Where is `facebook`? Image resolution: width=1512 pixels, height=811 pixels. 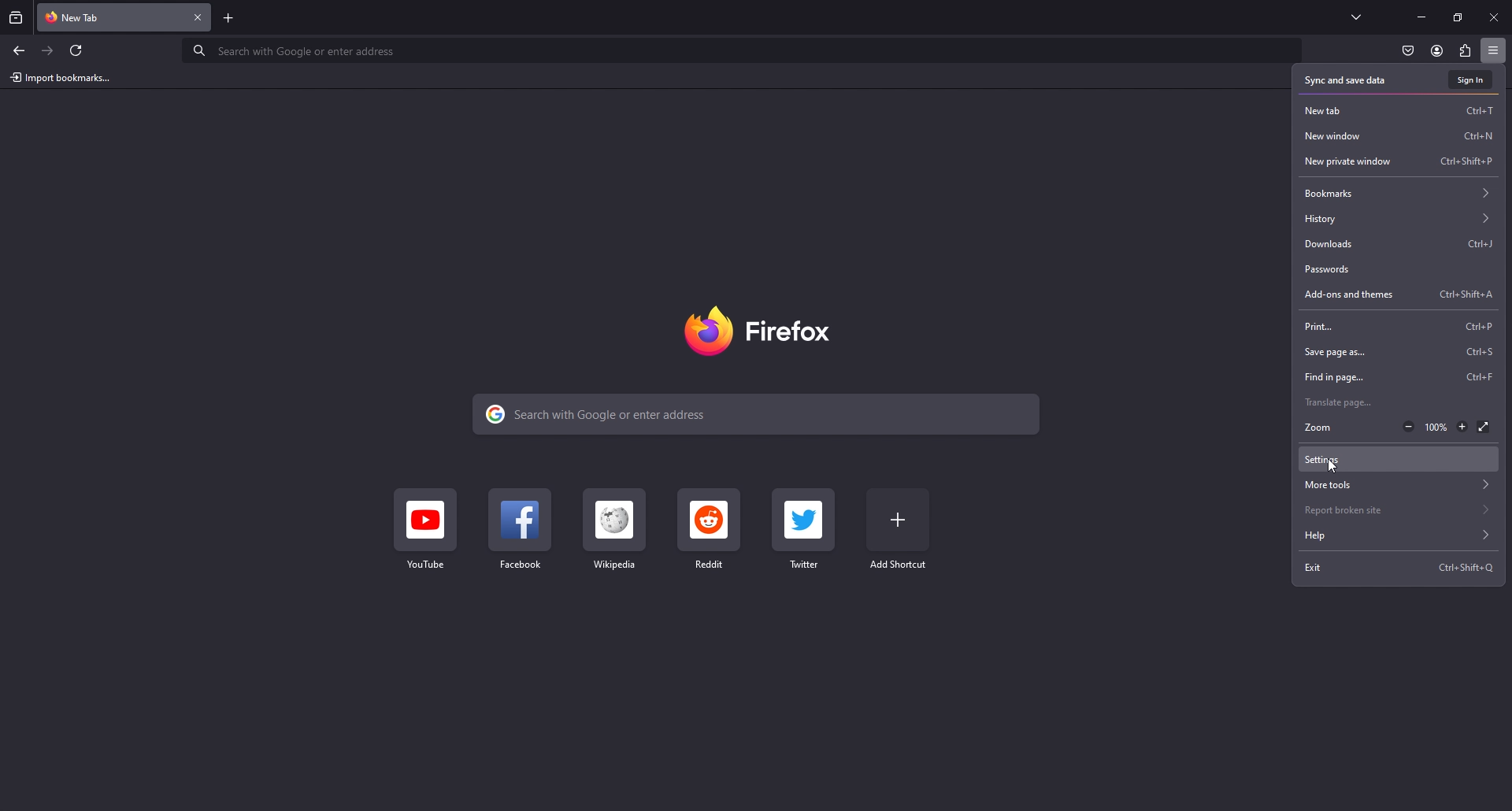 facebook is located at coordinates (520, 531).